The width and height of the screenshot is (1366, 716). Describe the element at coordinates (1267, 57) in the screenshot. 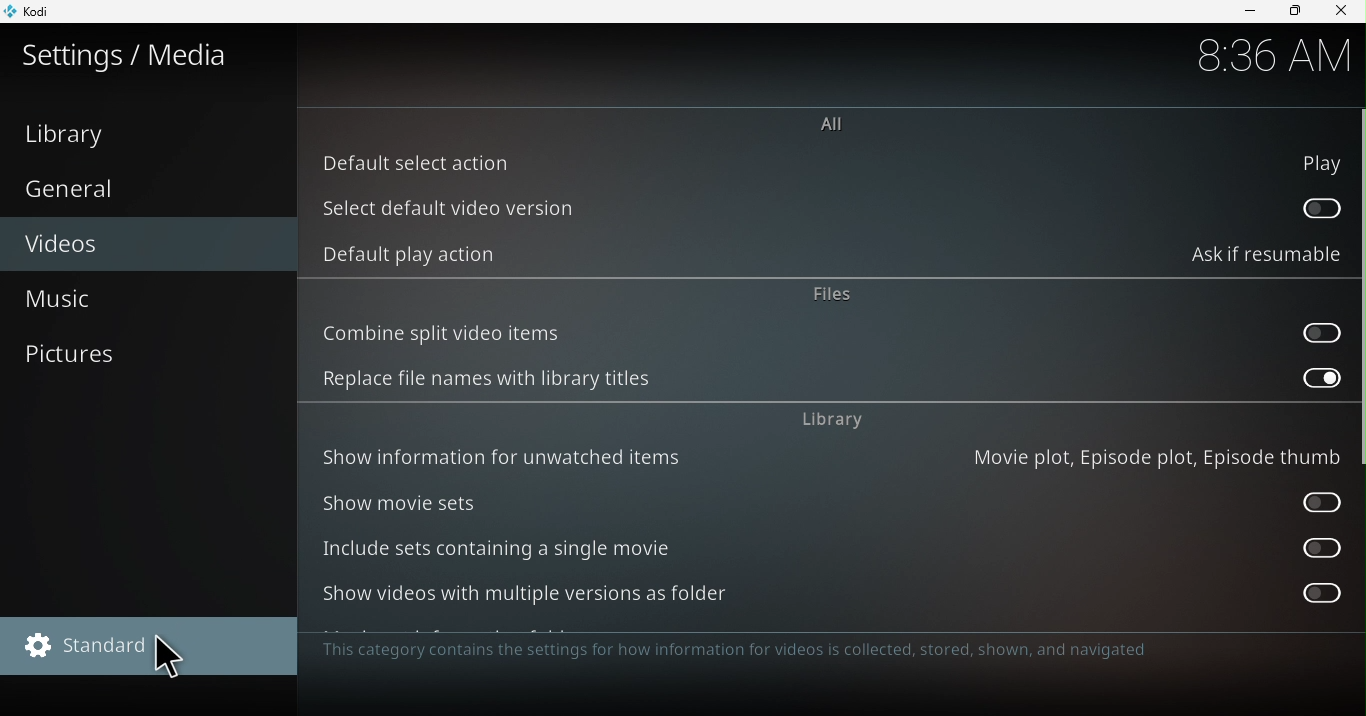

I see `Time` at that location.